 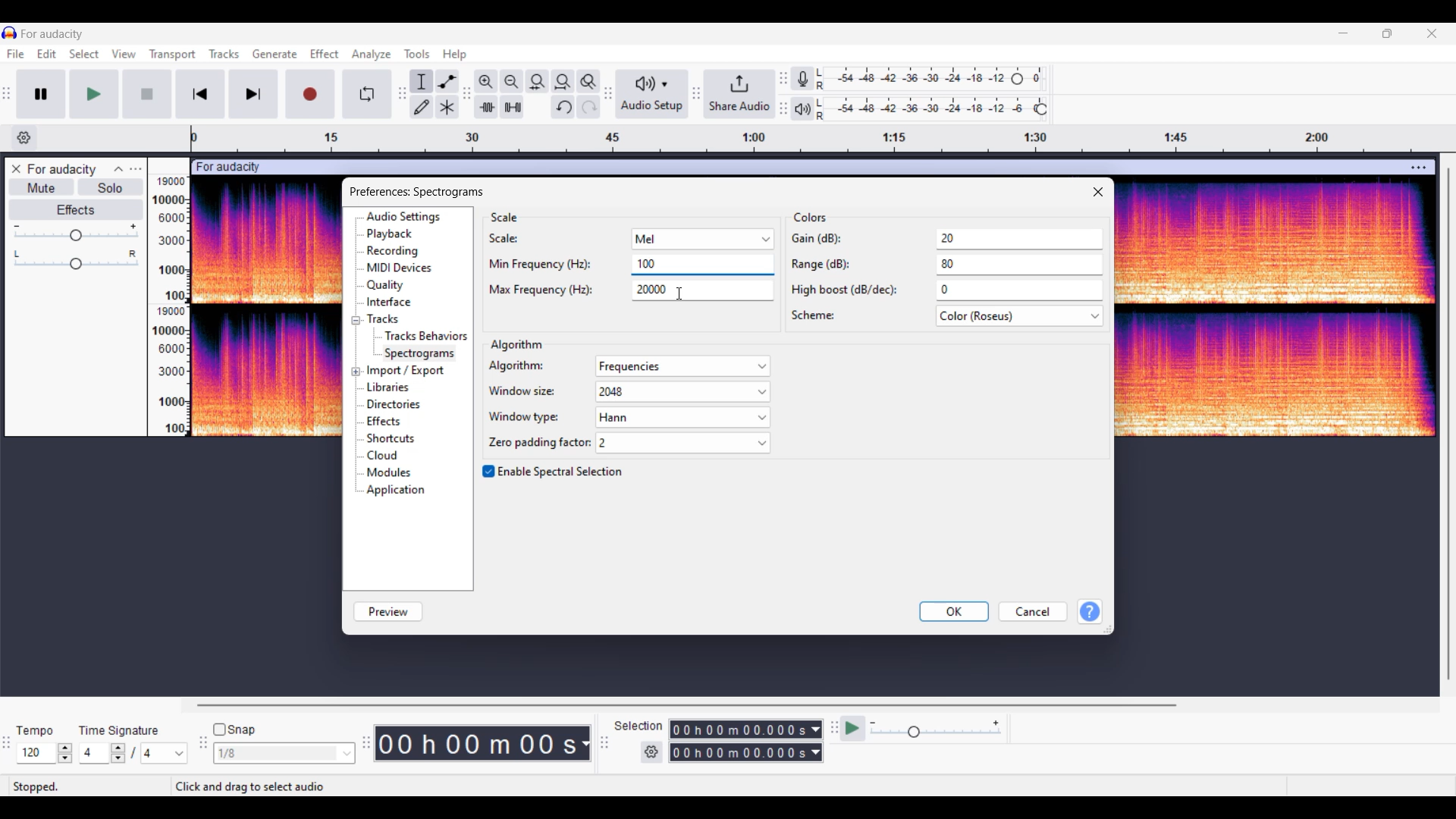 I want to click on Multi tool, so click(x=447, y=107).